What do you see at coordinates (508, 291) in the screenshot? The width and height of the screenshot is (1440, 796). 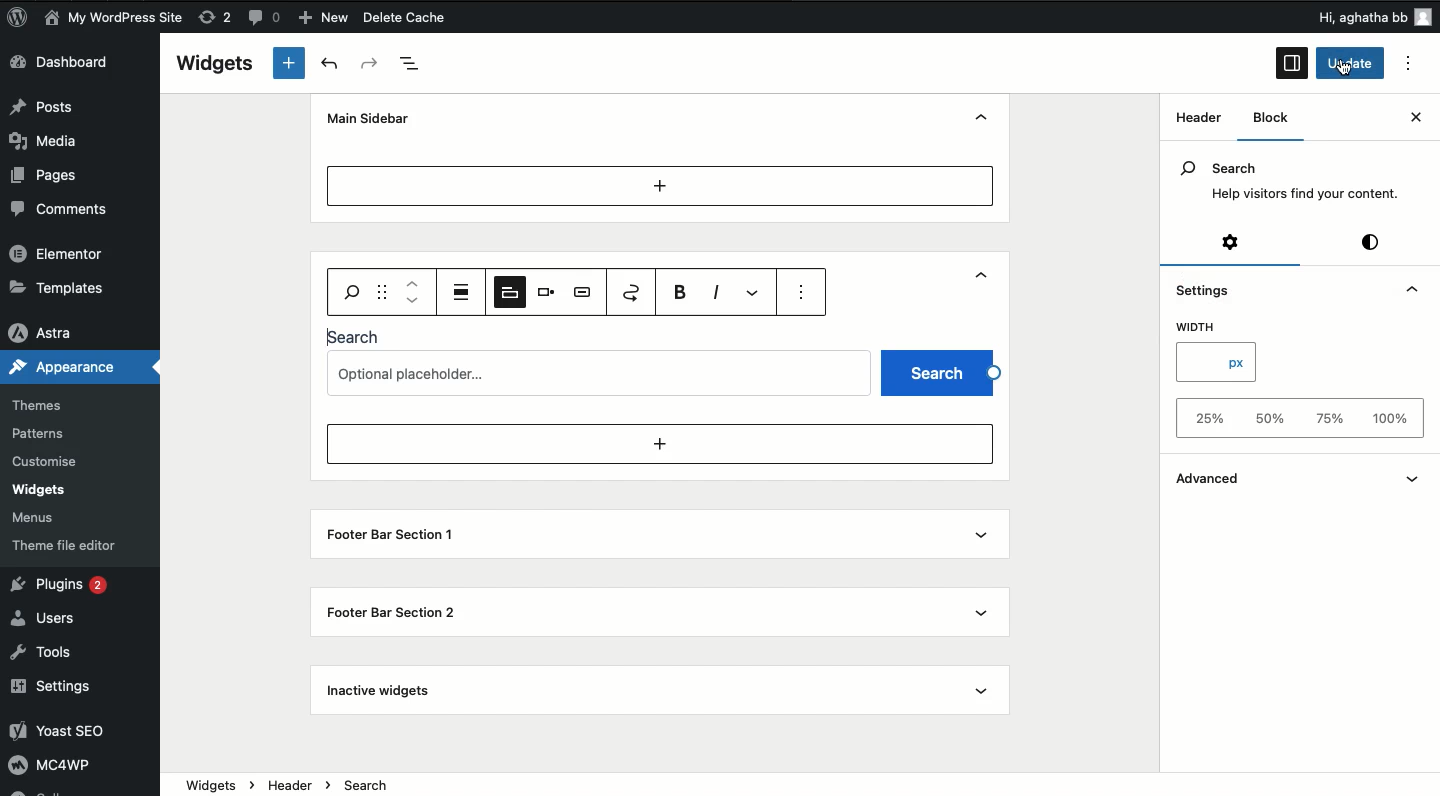 I see `Toggle search label` at bounding box center [508, 291].